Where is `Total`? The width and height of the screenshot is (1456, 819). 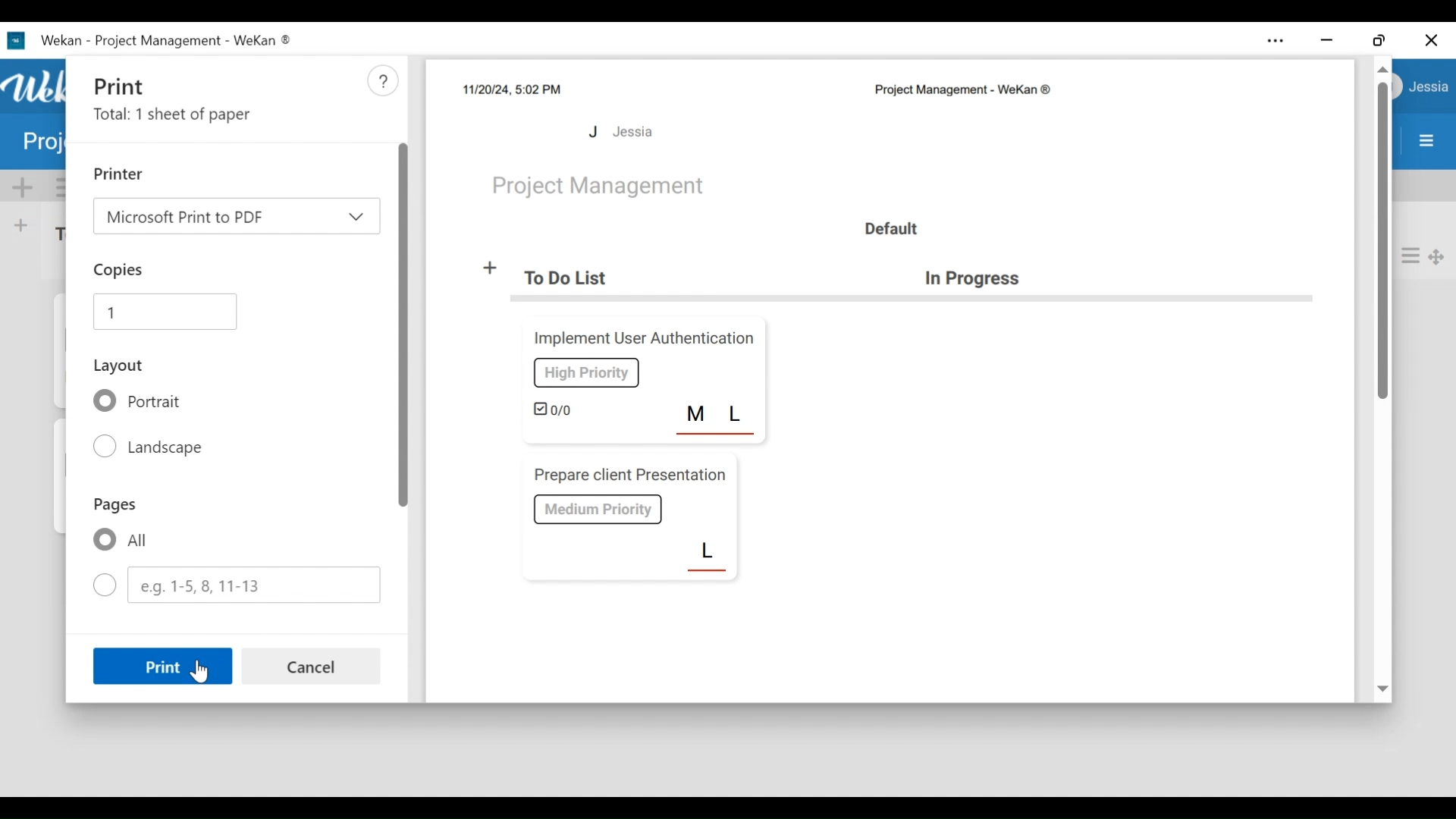 Total is located at coordinates (175, 116).